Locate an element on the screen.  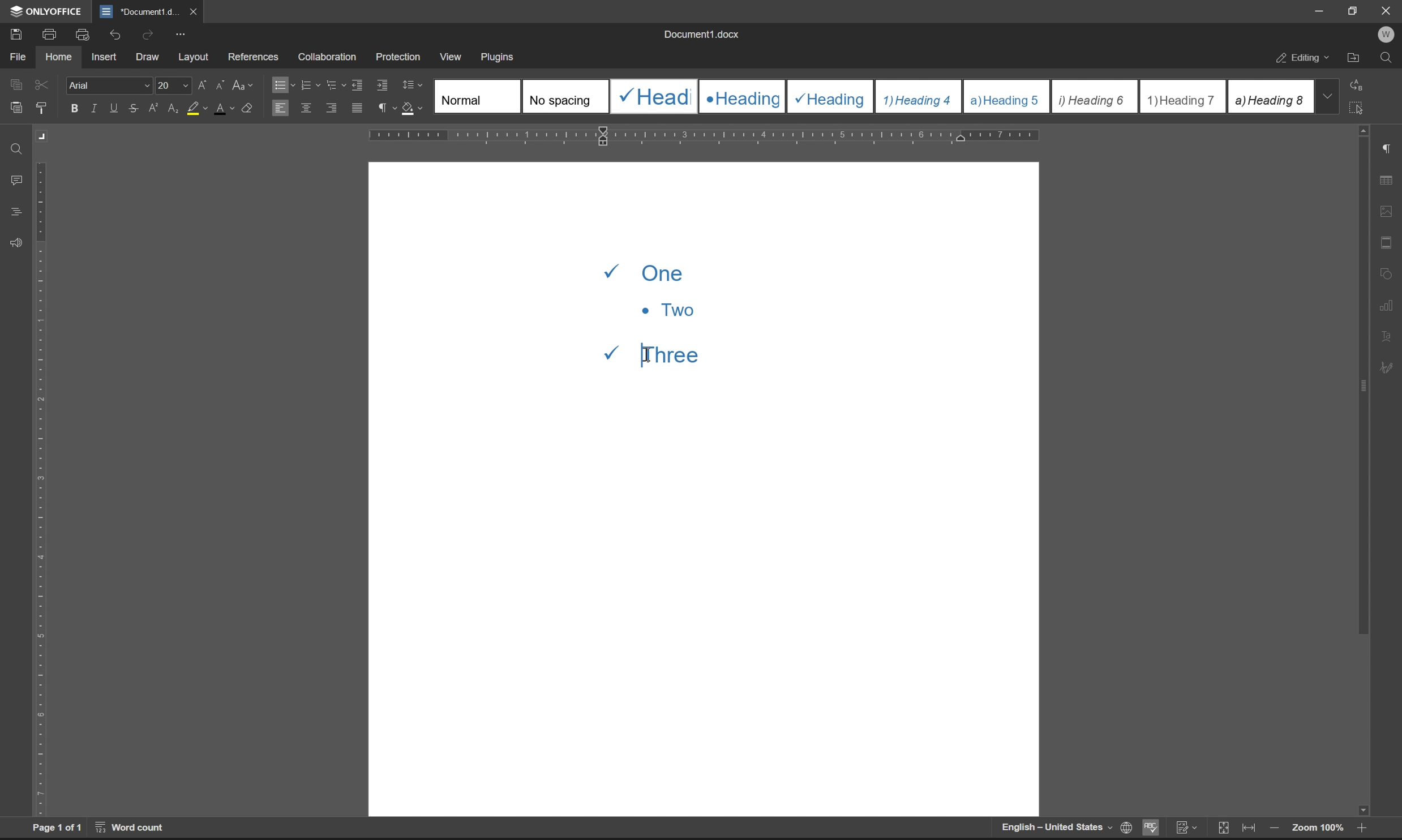
text art settings is located at coordinates (1386, 336).